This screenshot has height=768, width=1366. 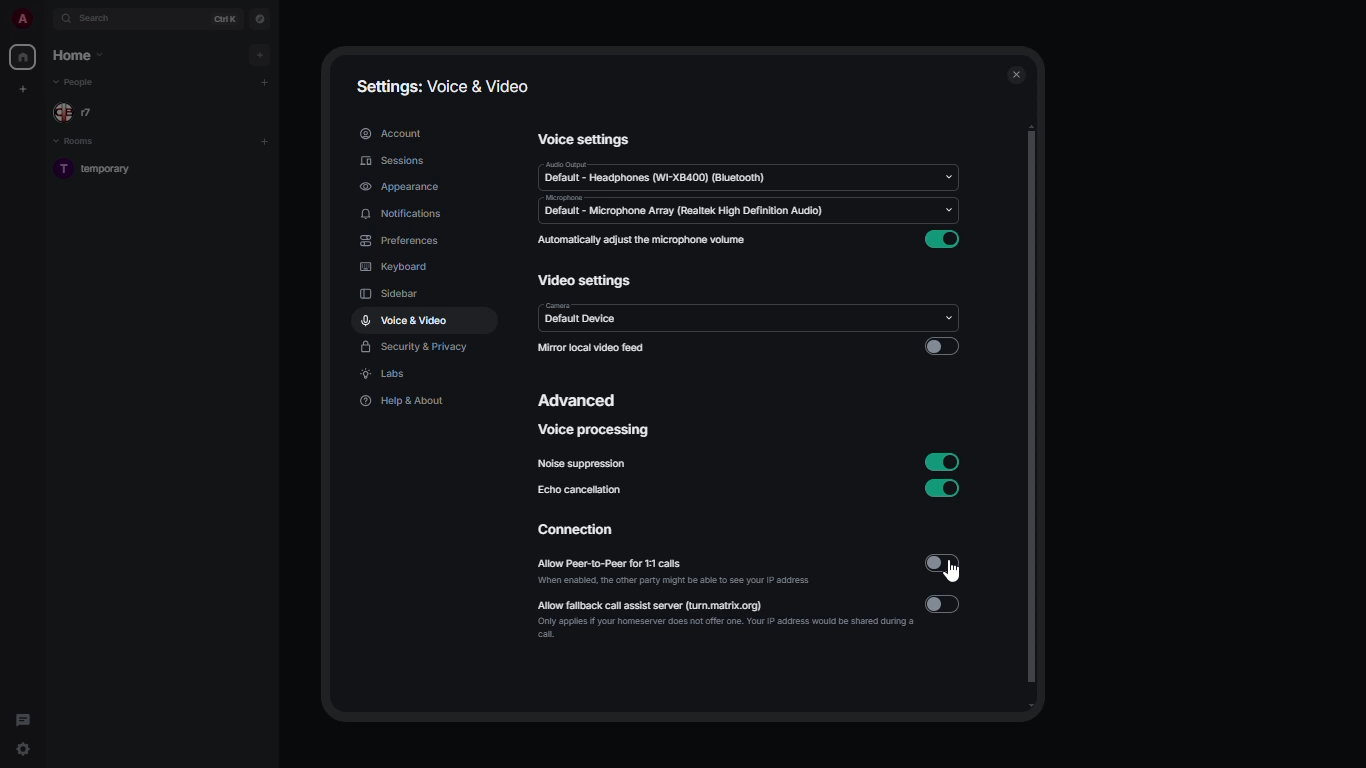 What do you see at coordinates (679, 605) in the screenshot?
I see `allow fallback call assist server` at bounding box center [679, 605].